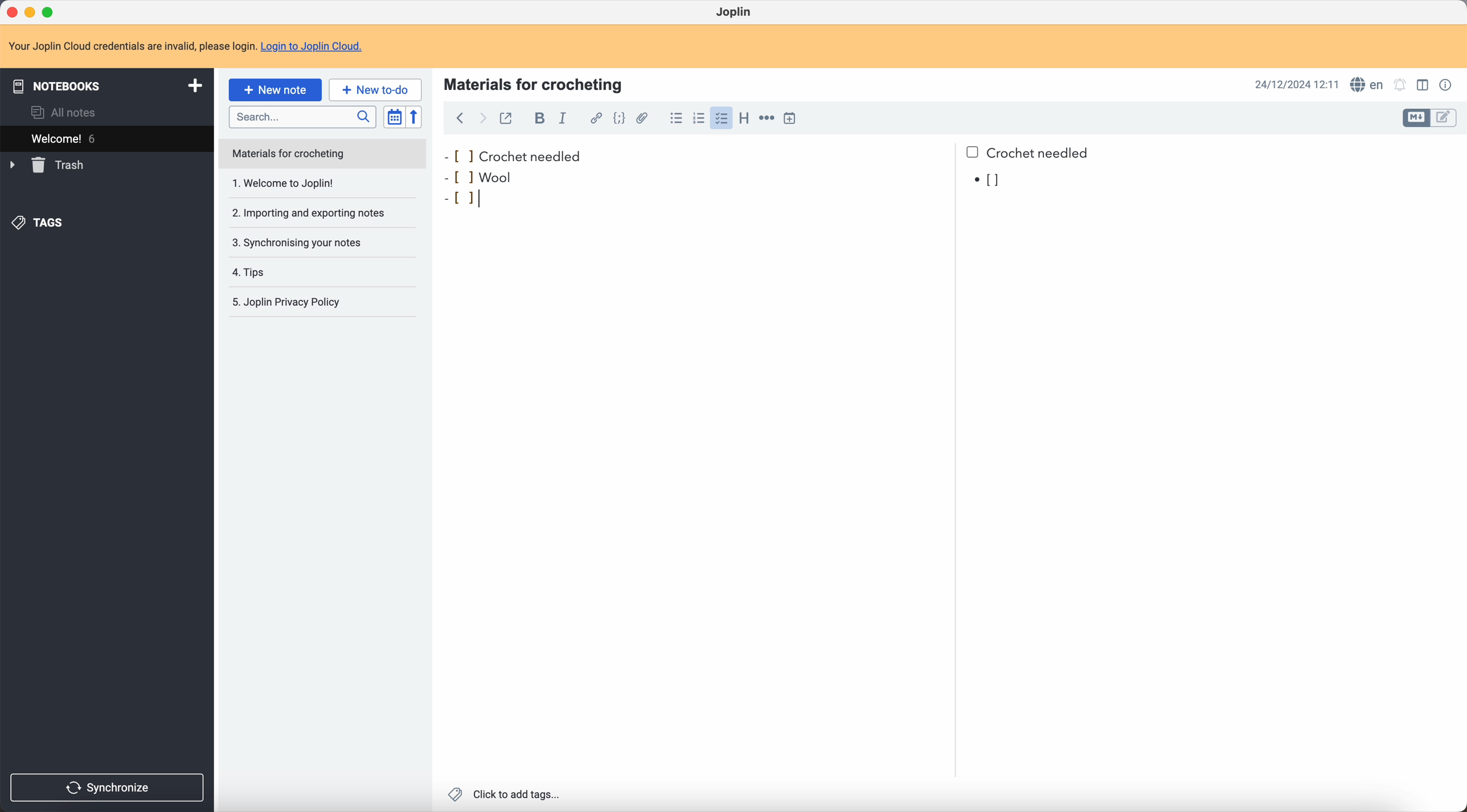 Image resolution: width=1467 pixels, height=812 pixels. What do you see at coordinates (593, 118) in the screenshot?
I see `hyperlink` at bounding box center [593, 118].